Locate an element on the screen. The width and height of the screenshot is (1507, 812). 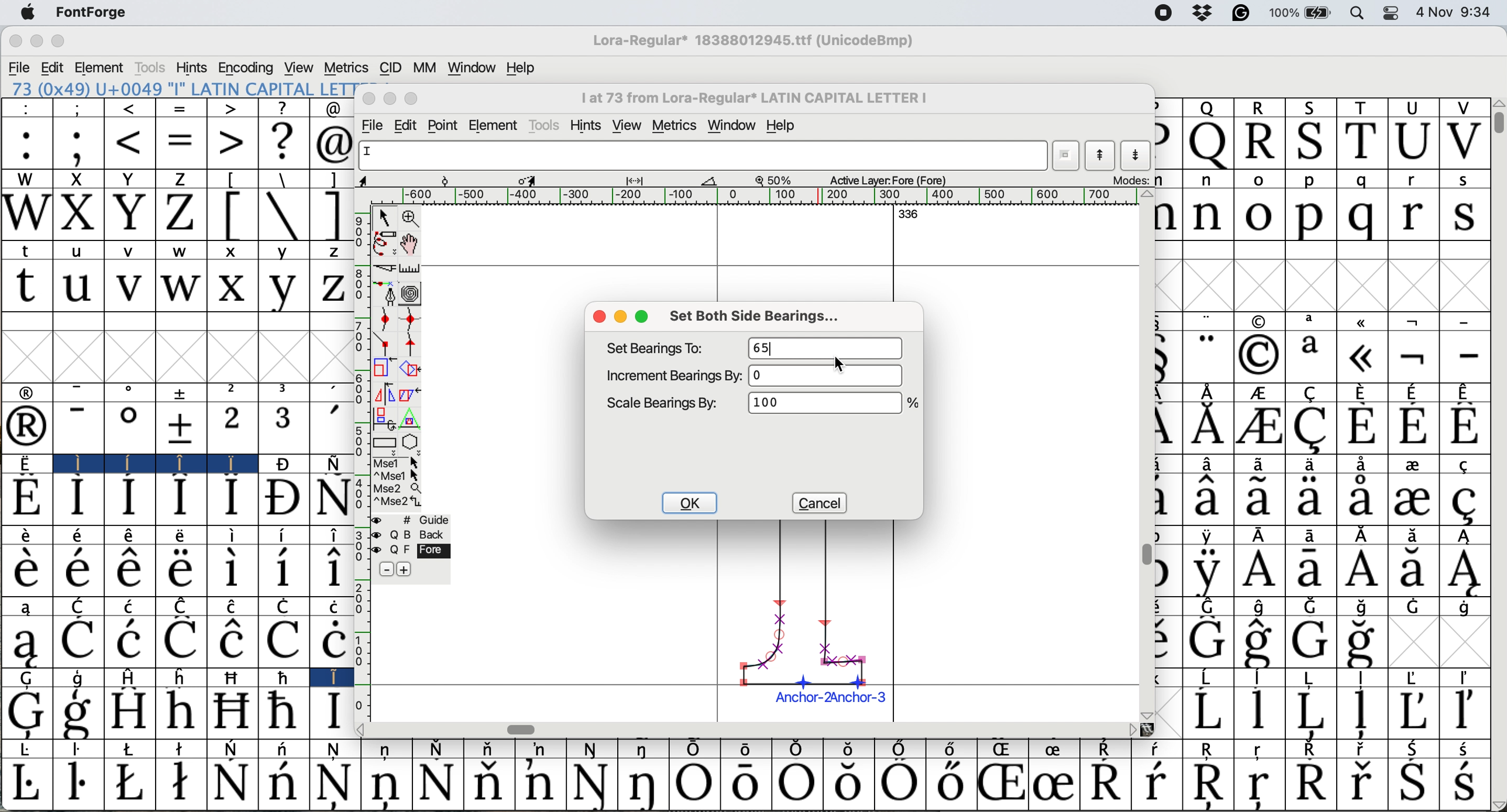
Symbol is located at coordinates (26, 534).